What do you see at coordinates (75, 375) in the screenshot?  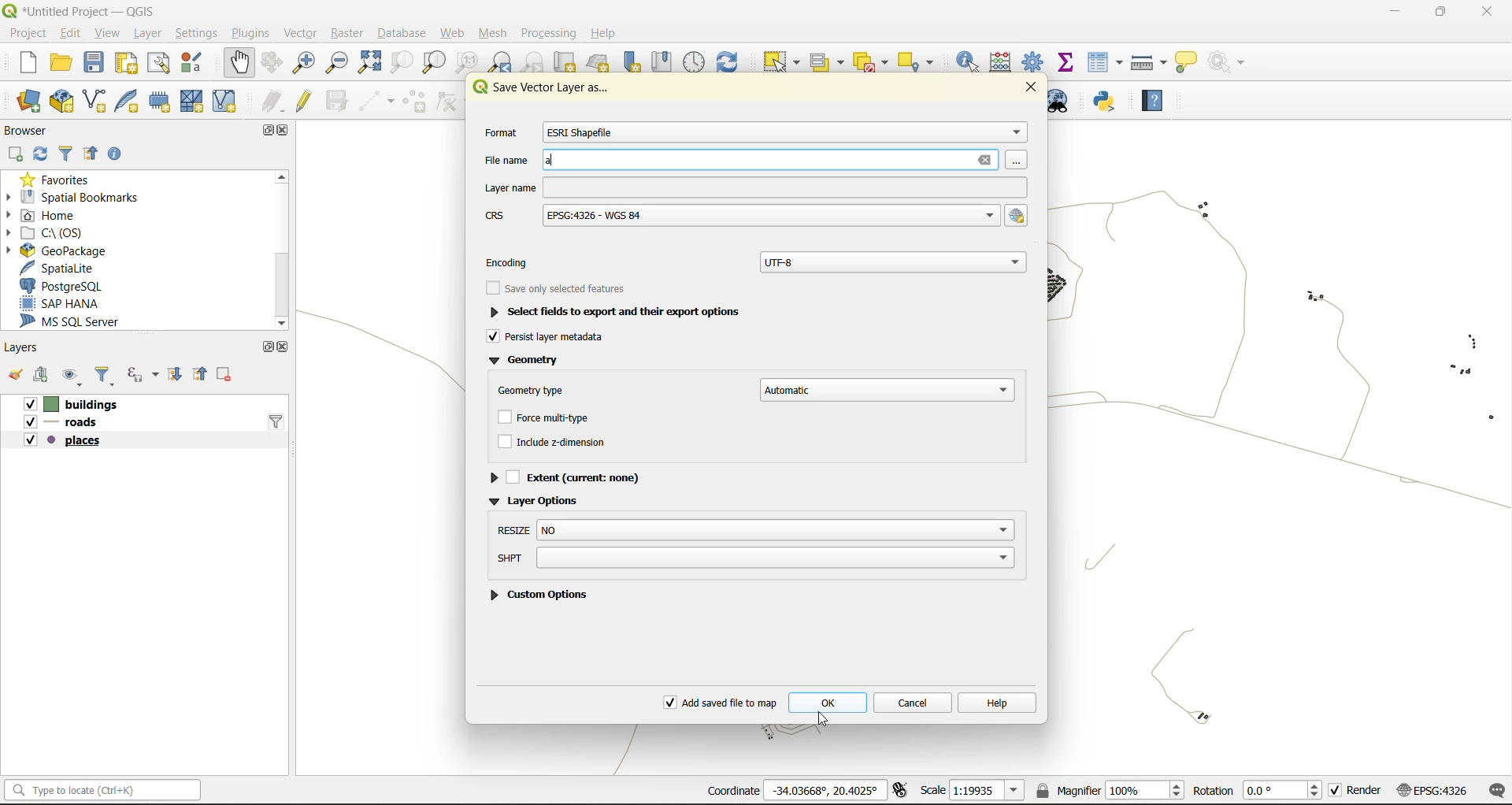 I see `manage map` at bounding box center [75, 375].